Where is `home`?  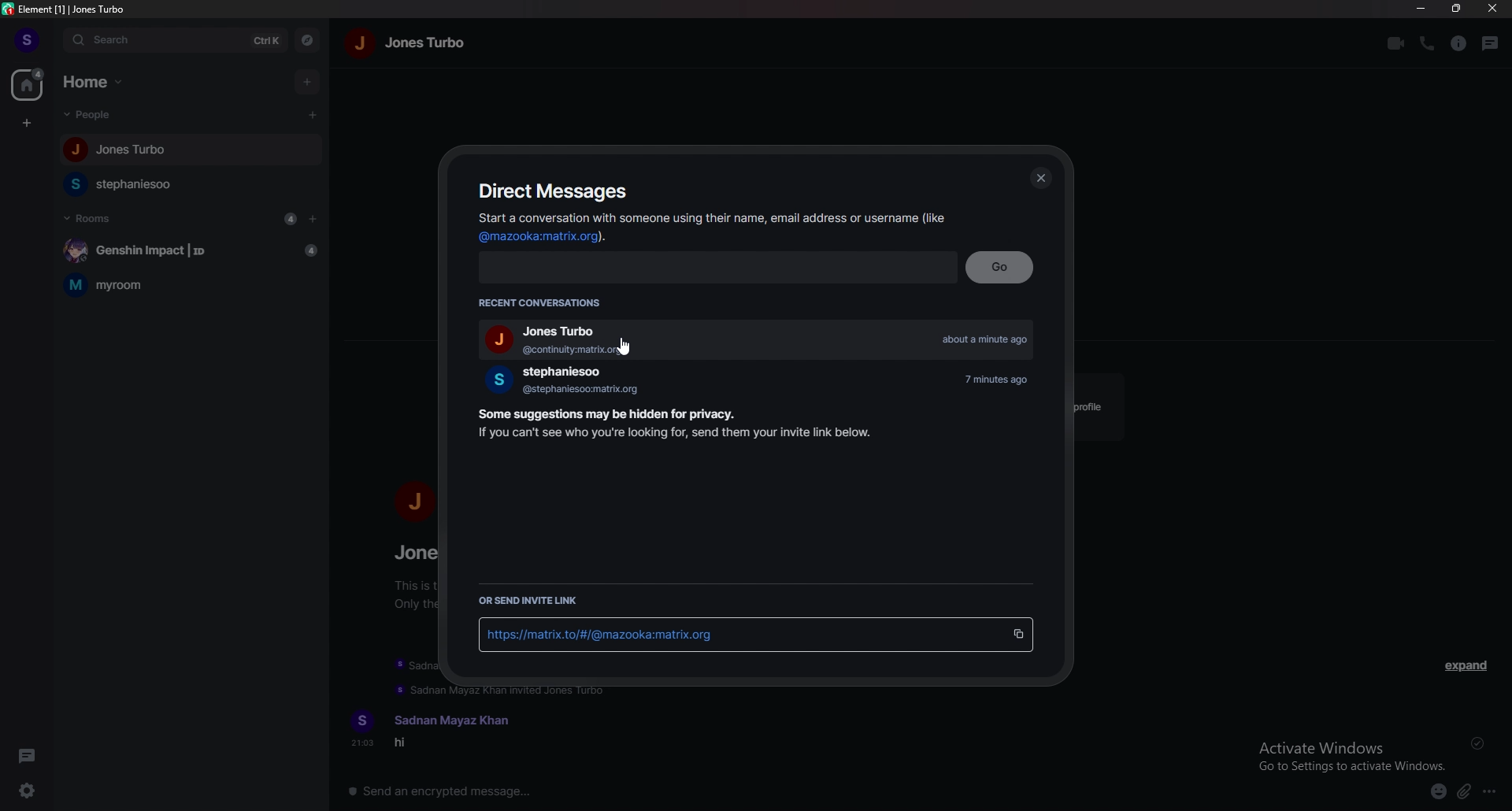
home is located at coordinates (98, 82).